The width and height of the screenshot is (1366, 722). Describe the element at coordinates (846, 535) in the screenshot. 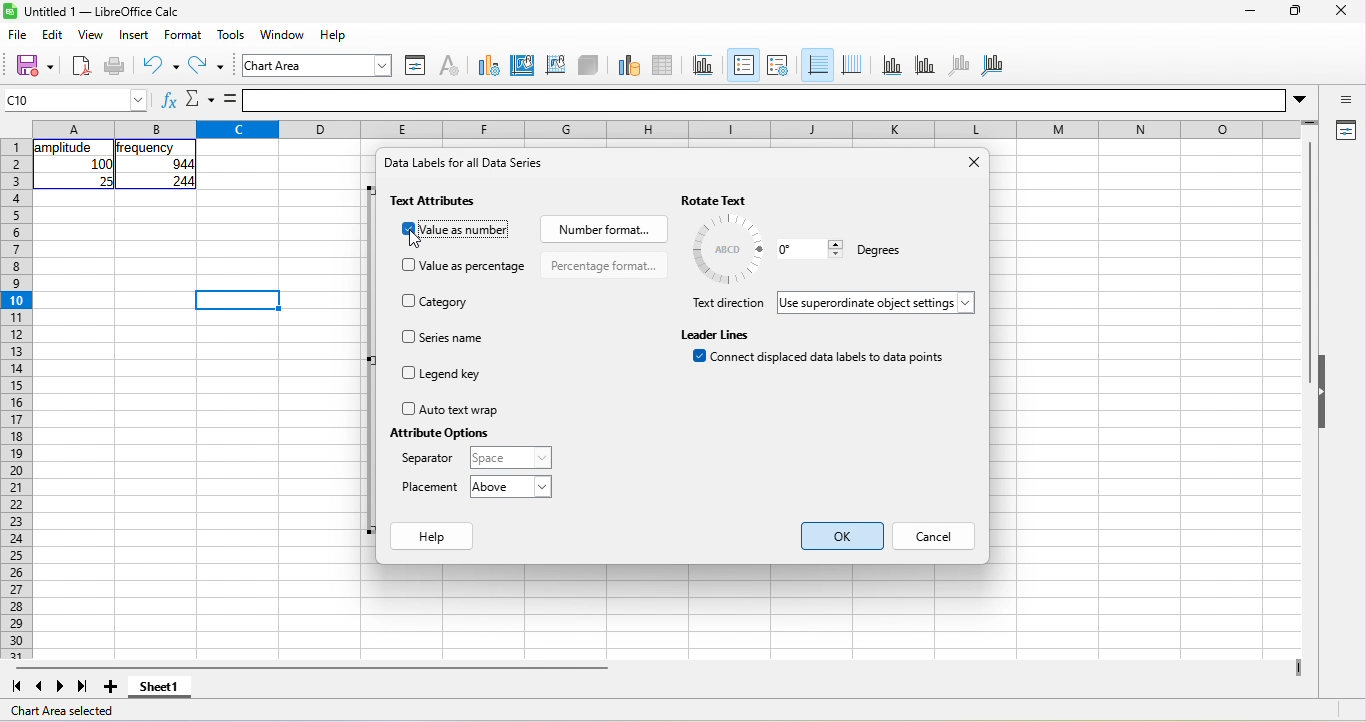

I see `ok` at that location.